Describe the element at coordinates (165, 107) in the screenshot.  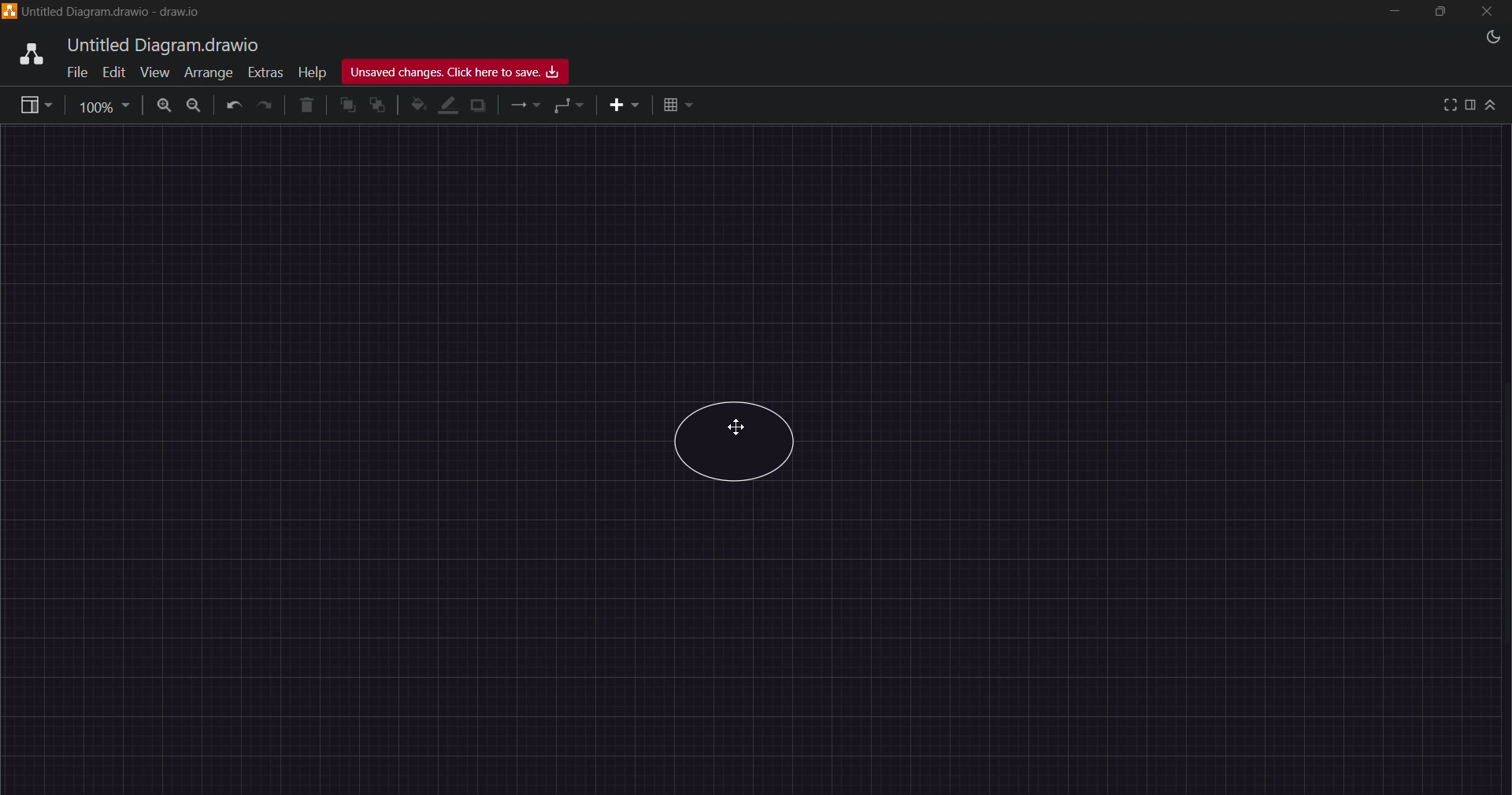
I see `zoom in` at that location.